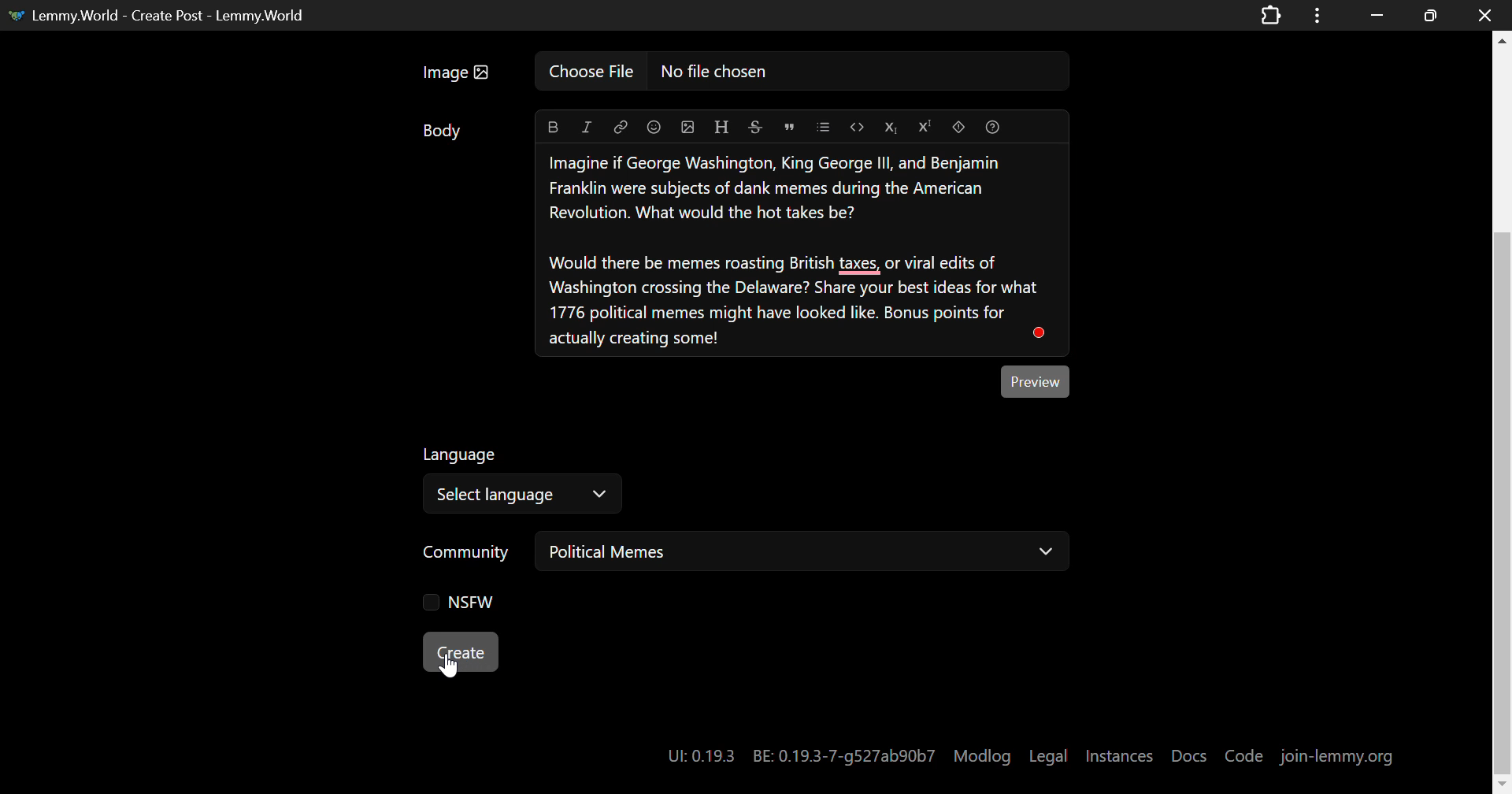 Image resolution: width=1512 pixels, height=794 pixels. Describe the element at coordinates (802, 251) in the screenshot. I see `Memes in American Revolution` at that location.